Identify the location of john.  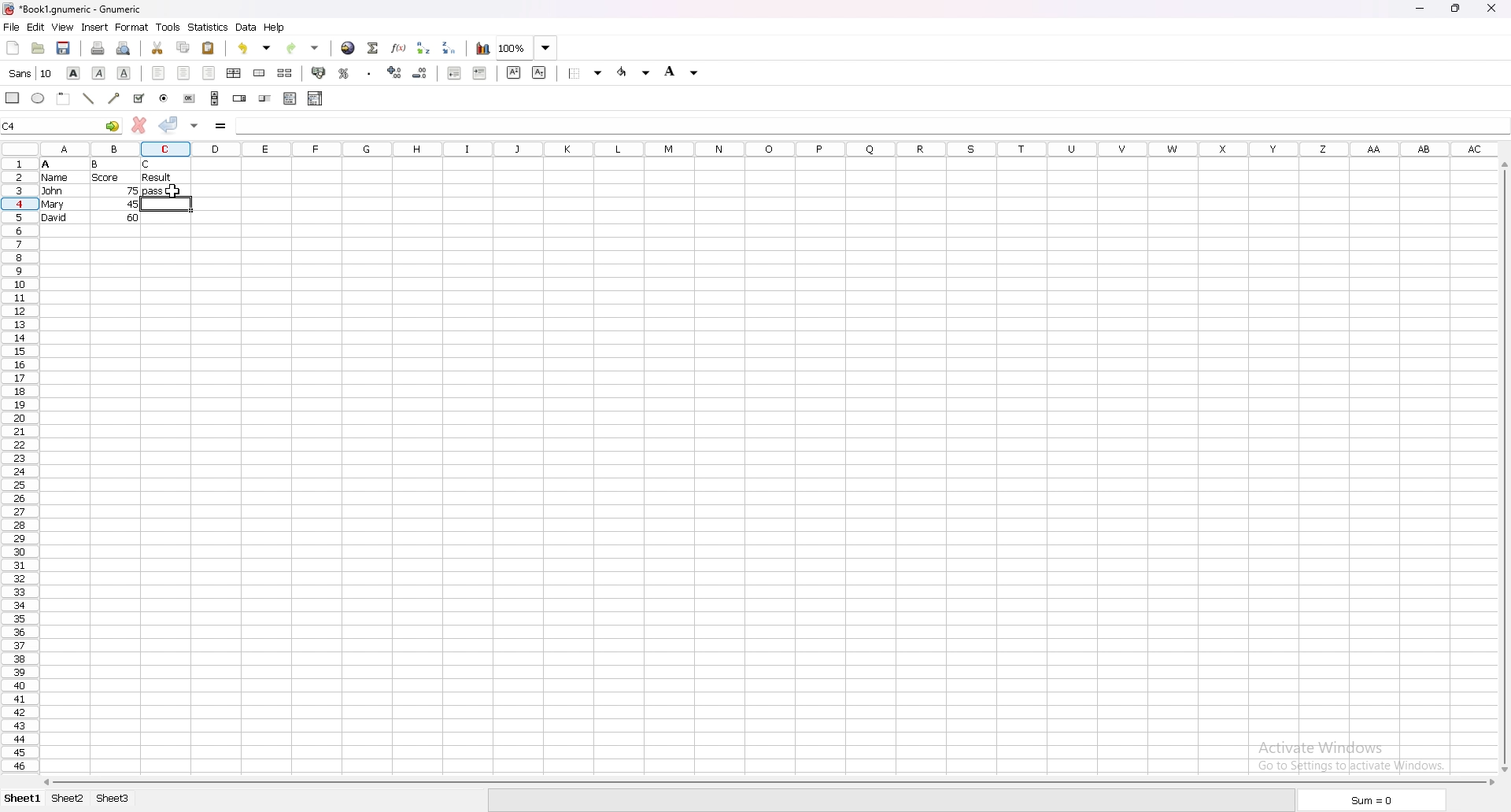
(52, 190).